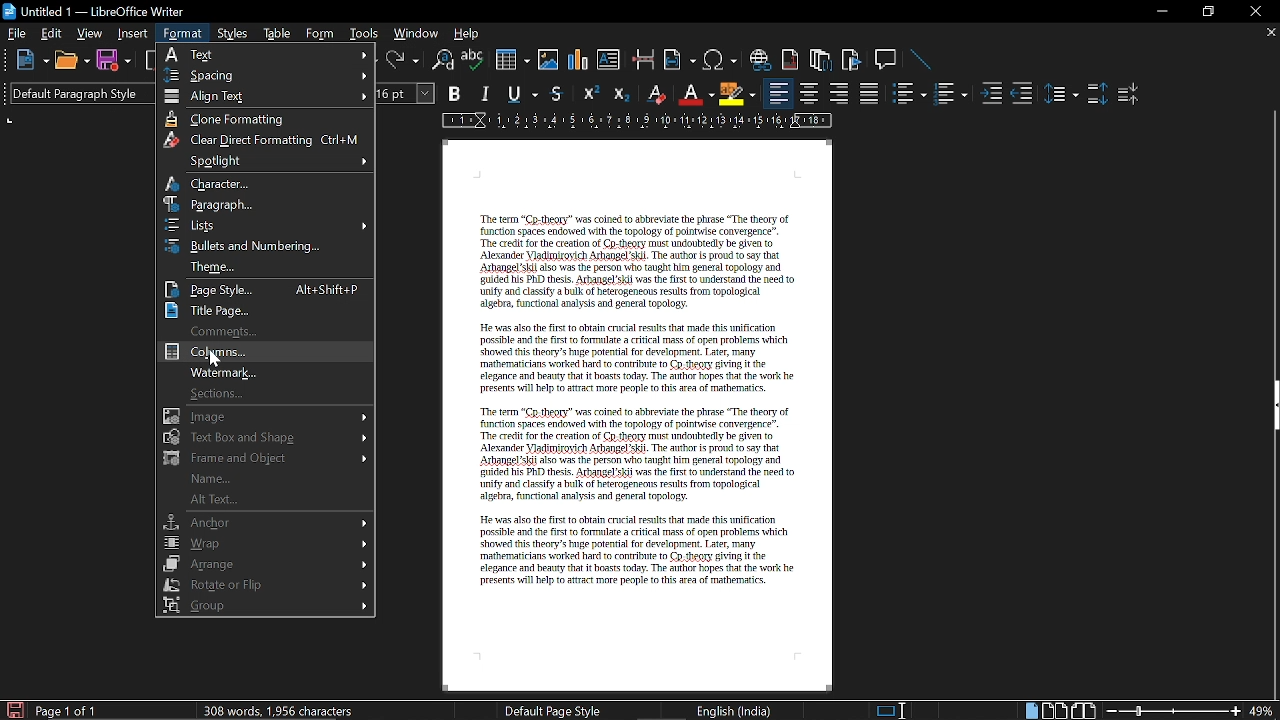 The height and width of the screenshot is (720, 1280). I want to click on bullet and numbering, so click(269, 246).